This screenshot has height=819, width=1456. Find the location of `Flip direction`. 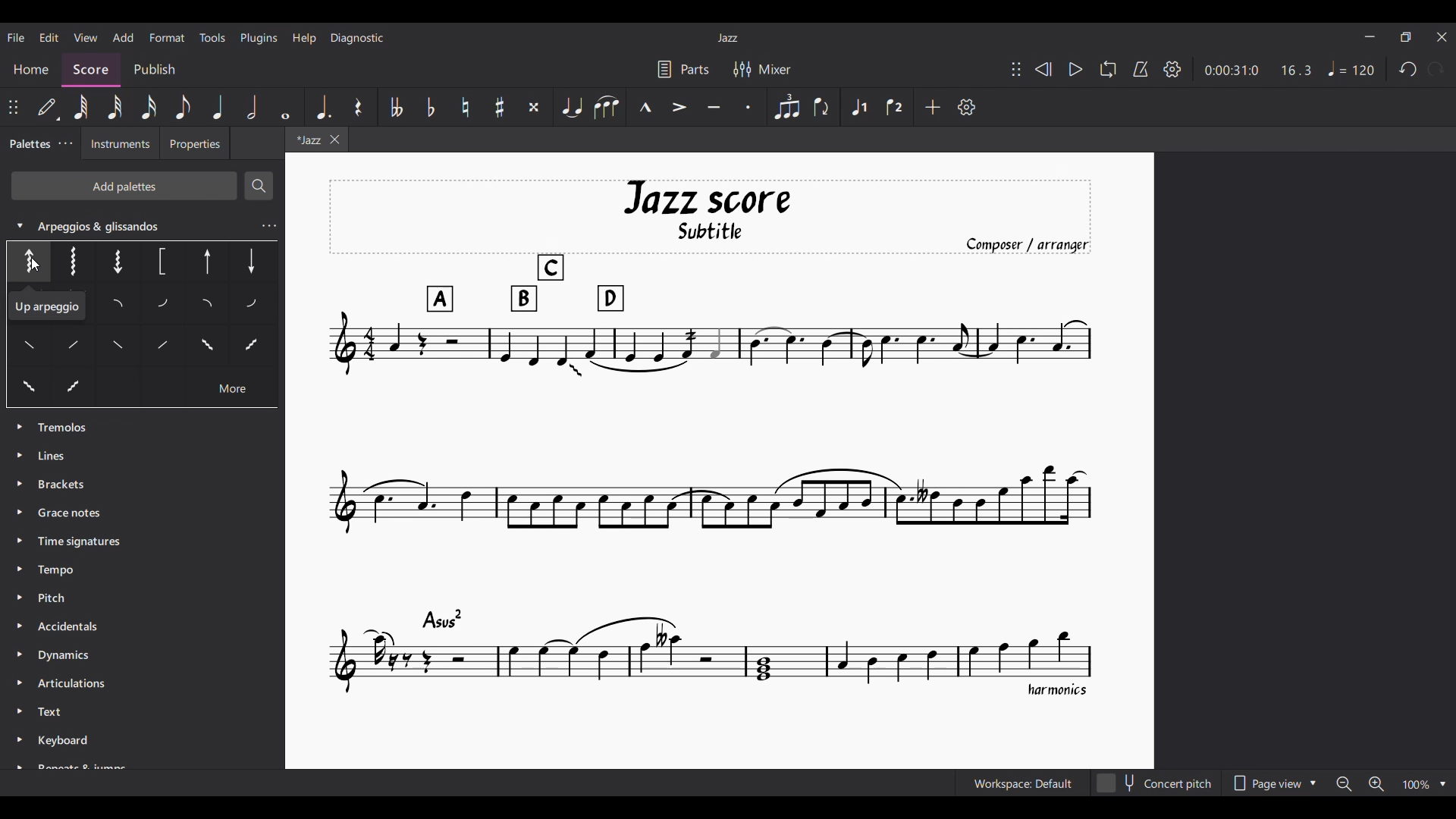

Flip direction is located at coordinates (822, 107).